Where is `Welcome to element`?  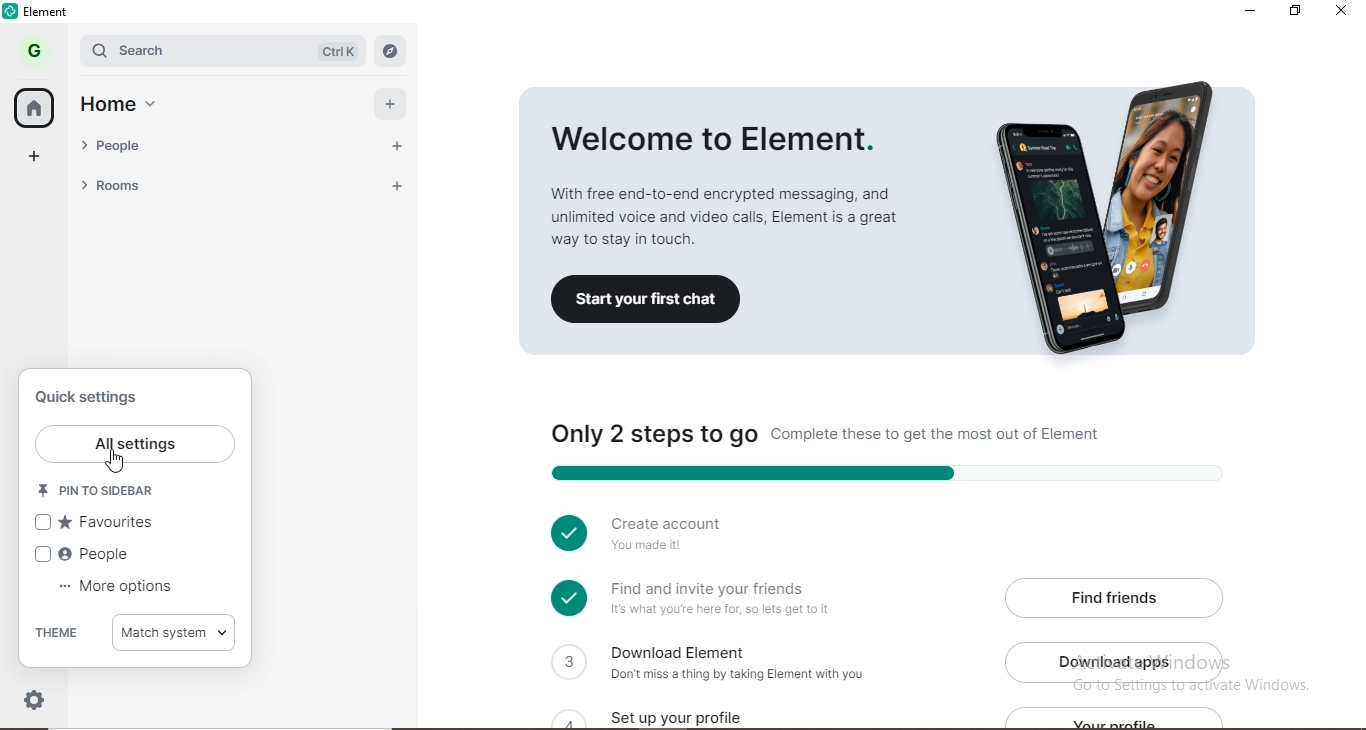 Welcome to element is located at coordinates (732, 169).